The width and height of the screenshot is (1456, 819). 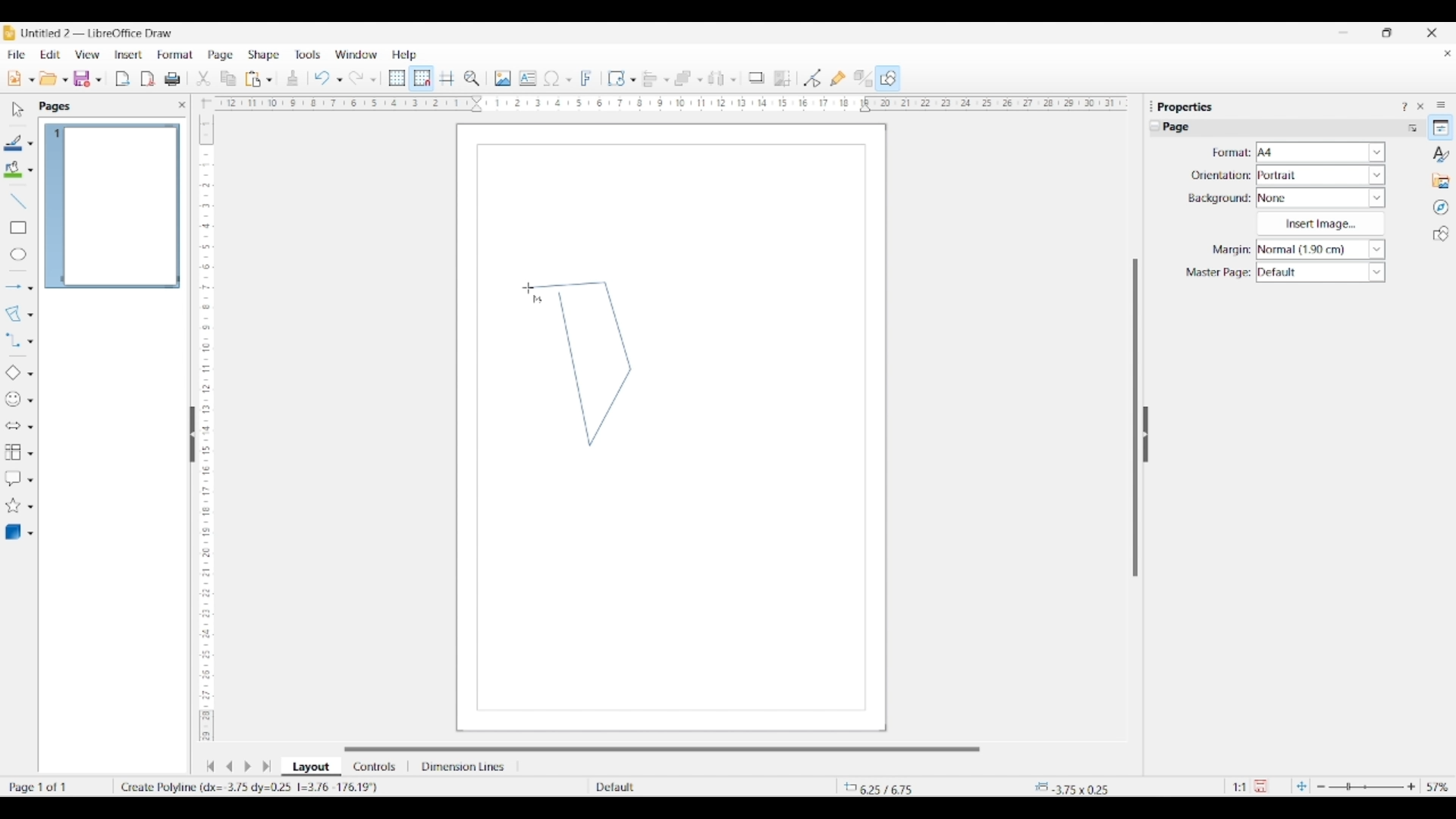 What do you see at coordinates (311, 767) in the screenshot?
I see `Layout selected` at bounding box center [311, 767].